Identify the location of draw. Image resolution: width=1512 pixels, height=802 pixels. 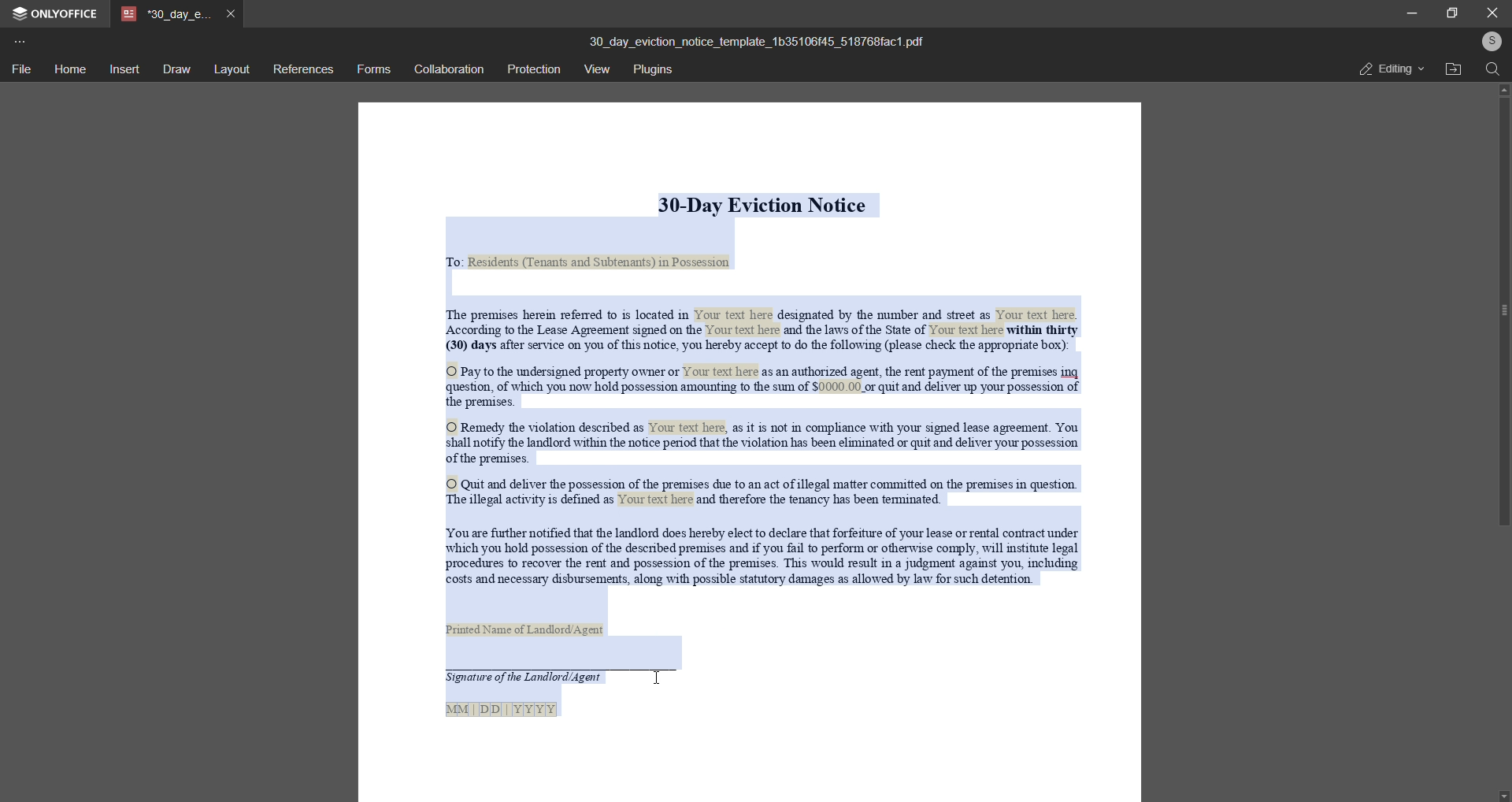
(176, 69).